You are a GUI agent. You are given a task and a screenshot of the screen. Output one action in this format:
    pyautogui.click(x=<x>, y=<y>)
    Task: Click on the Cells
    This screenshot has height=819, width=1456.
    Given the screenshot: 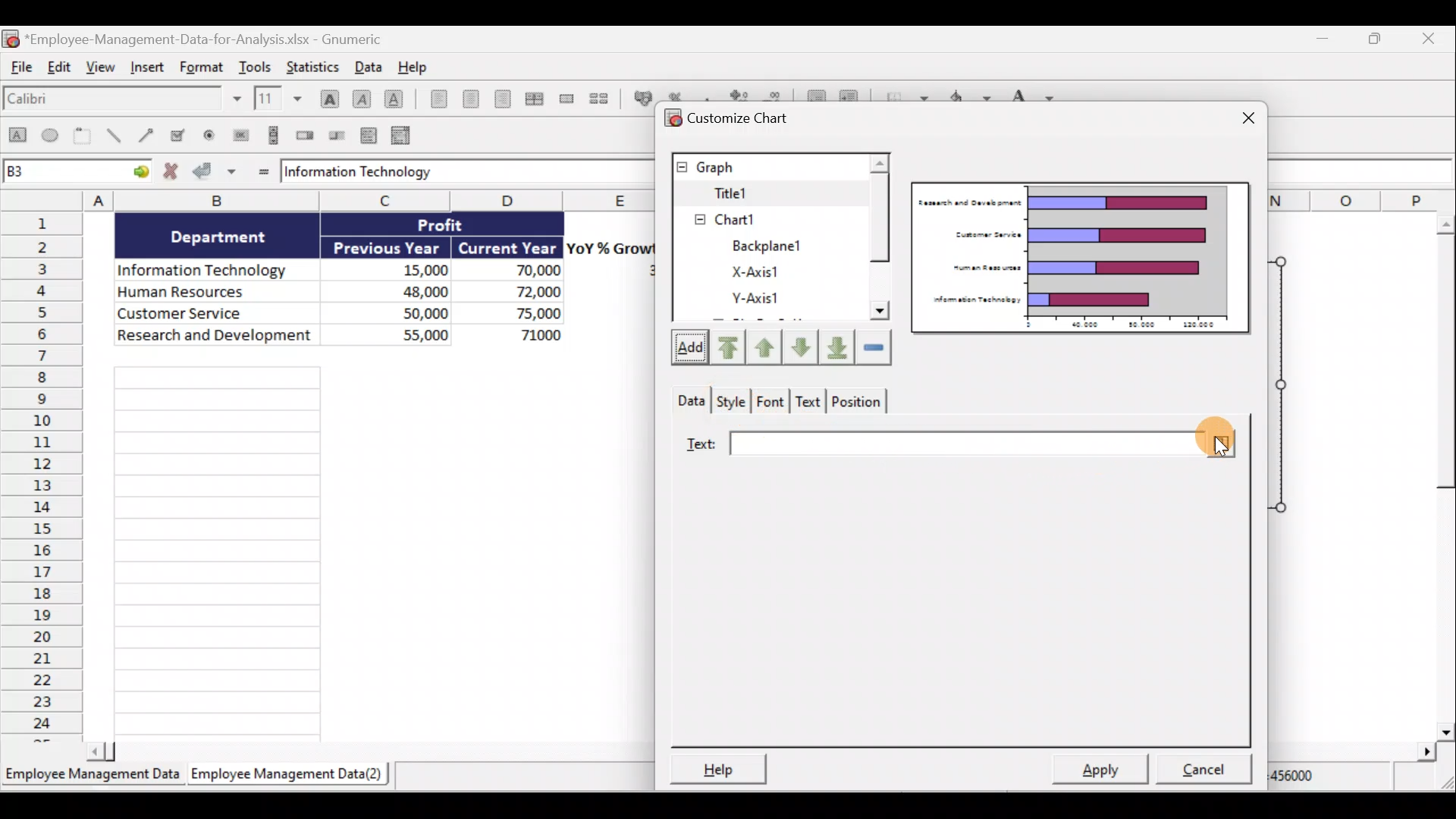 What is the action you would take?
    pyautogui.click(x=375, y=550)
    